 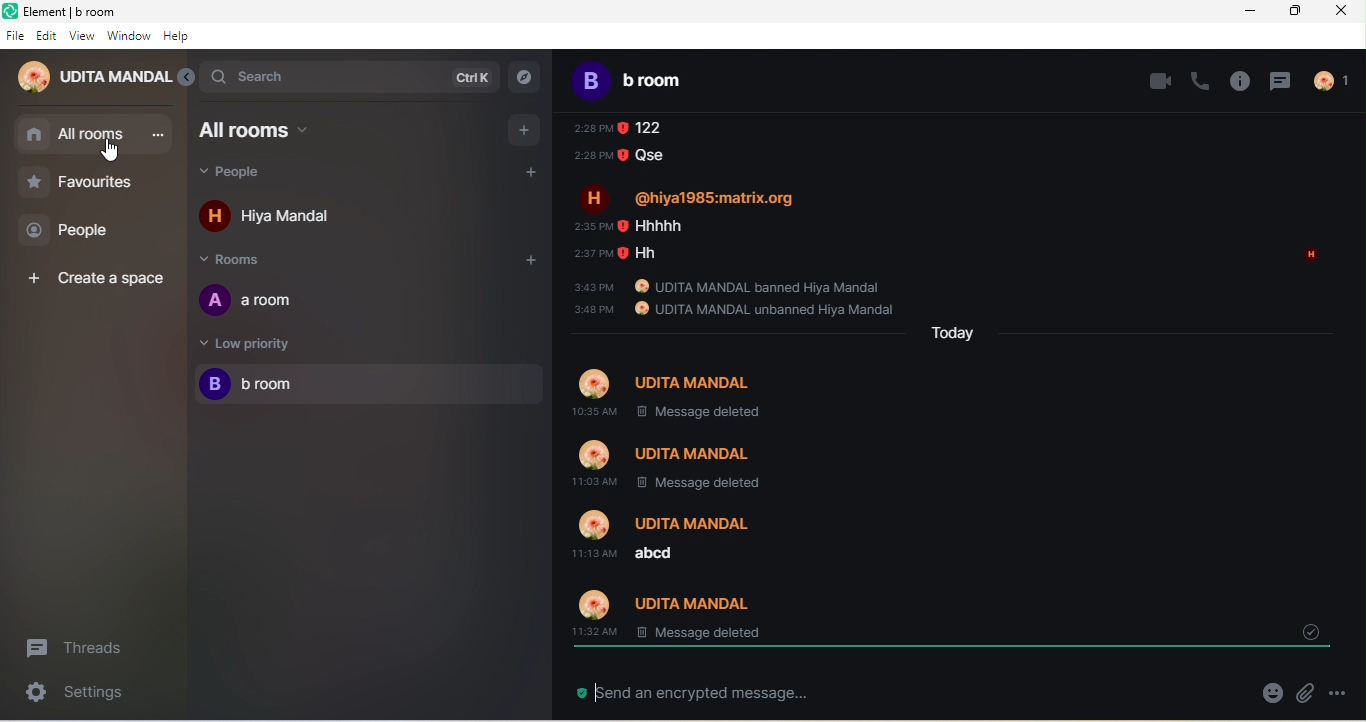 I want to click on add room, so click(x=523, y=129).